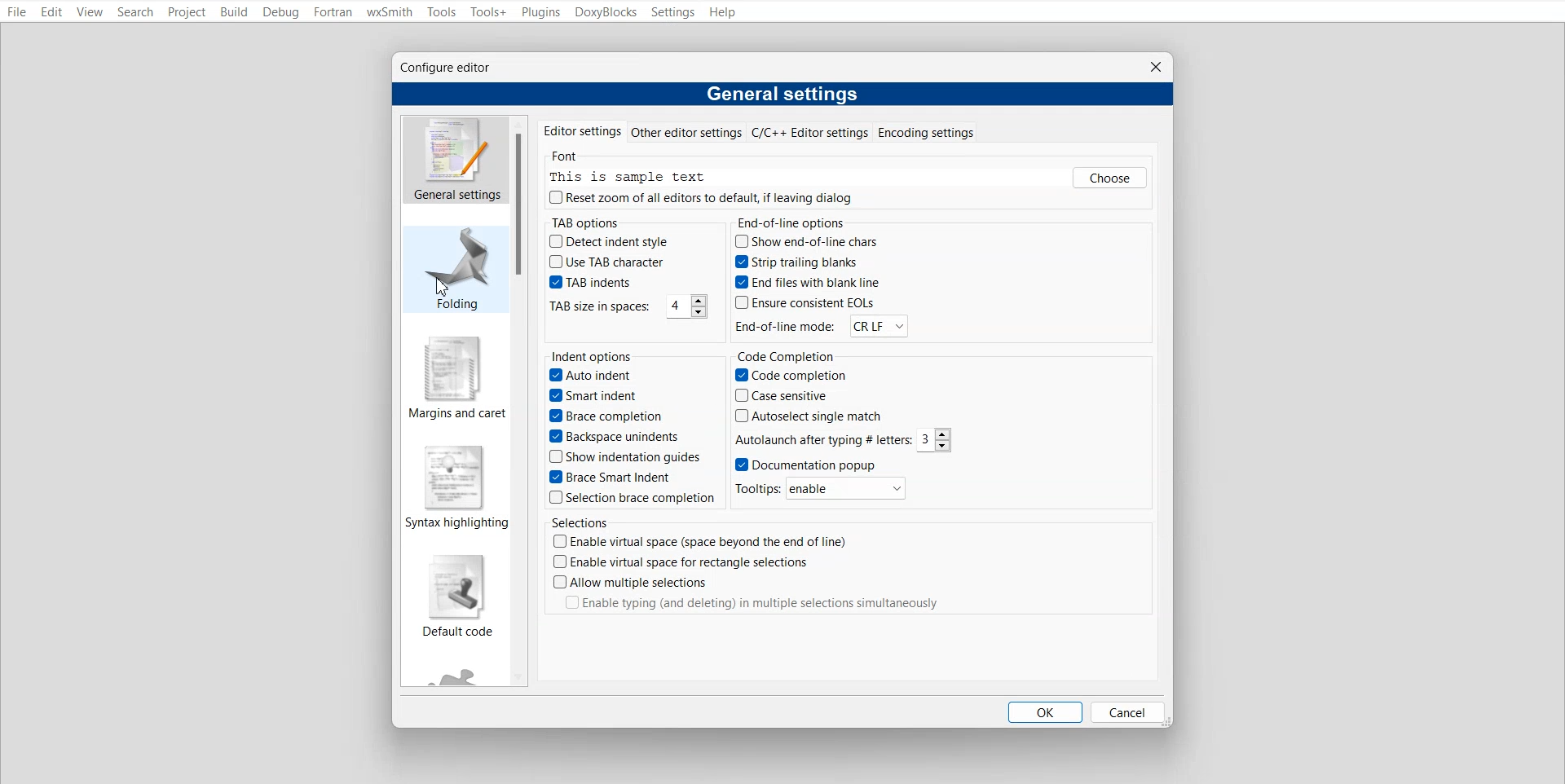 Image resolution: width=1565 pixels, height=784 pixels. What do you see at coordinates (791, 376) in the screenshot?
I see `Code completion` at bounding box center [791, 376].